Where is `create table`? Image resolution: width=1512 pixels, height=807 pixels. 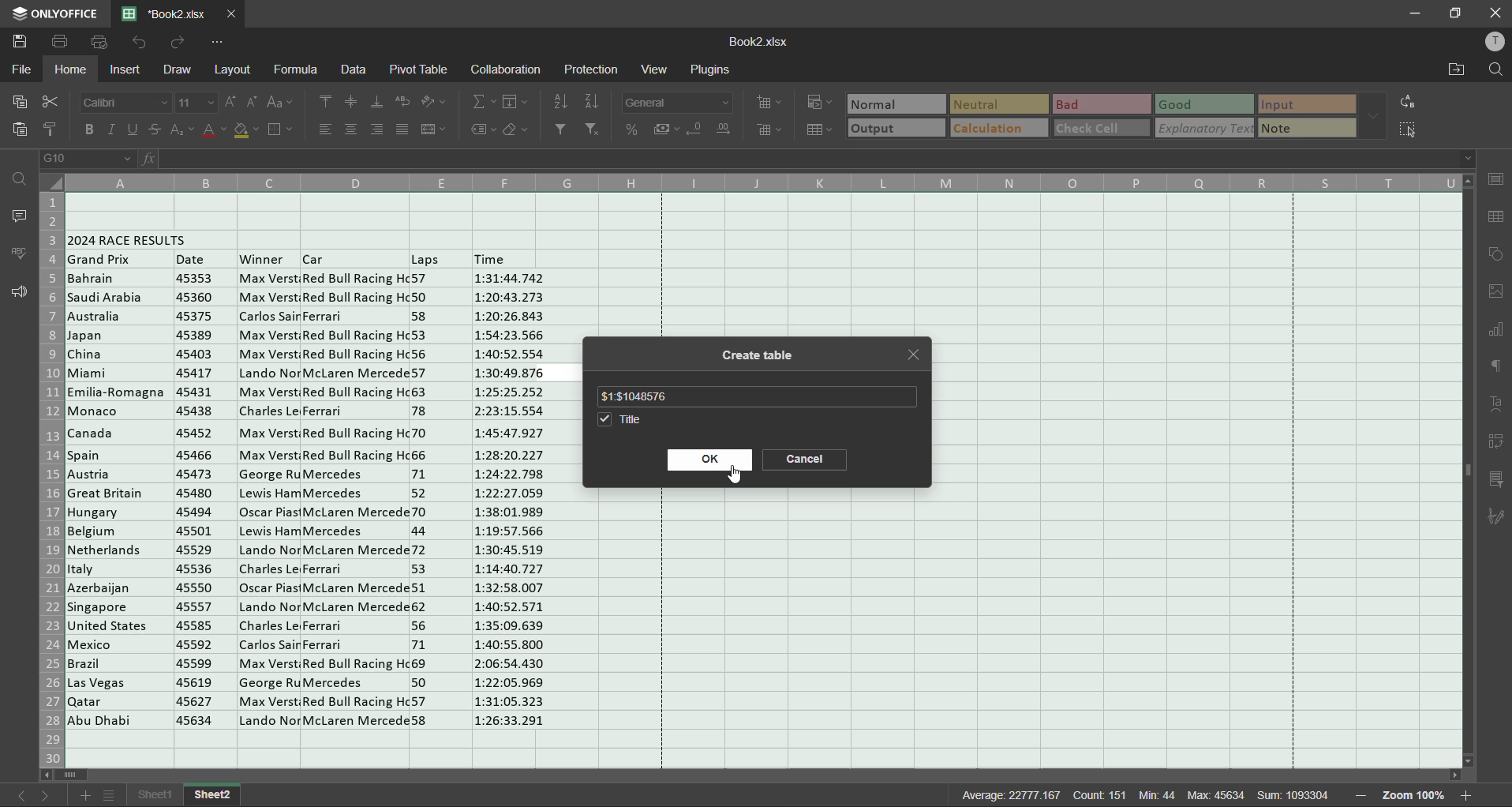 create table is located at coordinates (756, 355).